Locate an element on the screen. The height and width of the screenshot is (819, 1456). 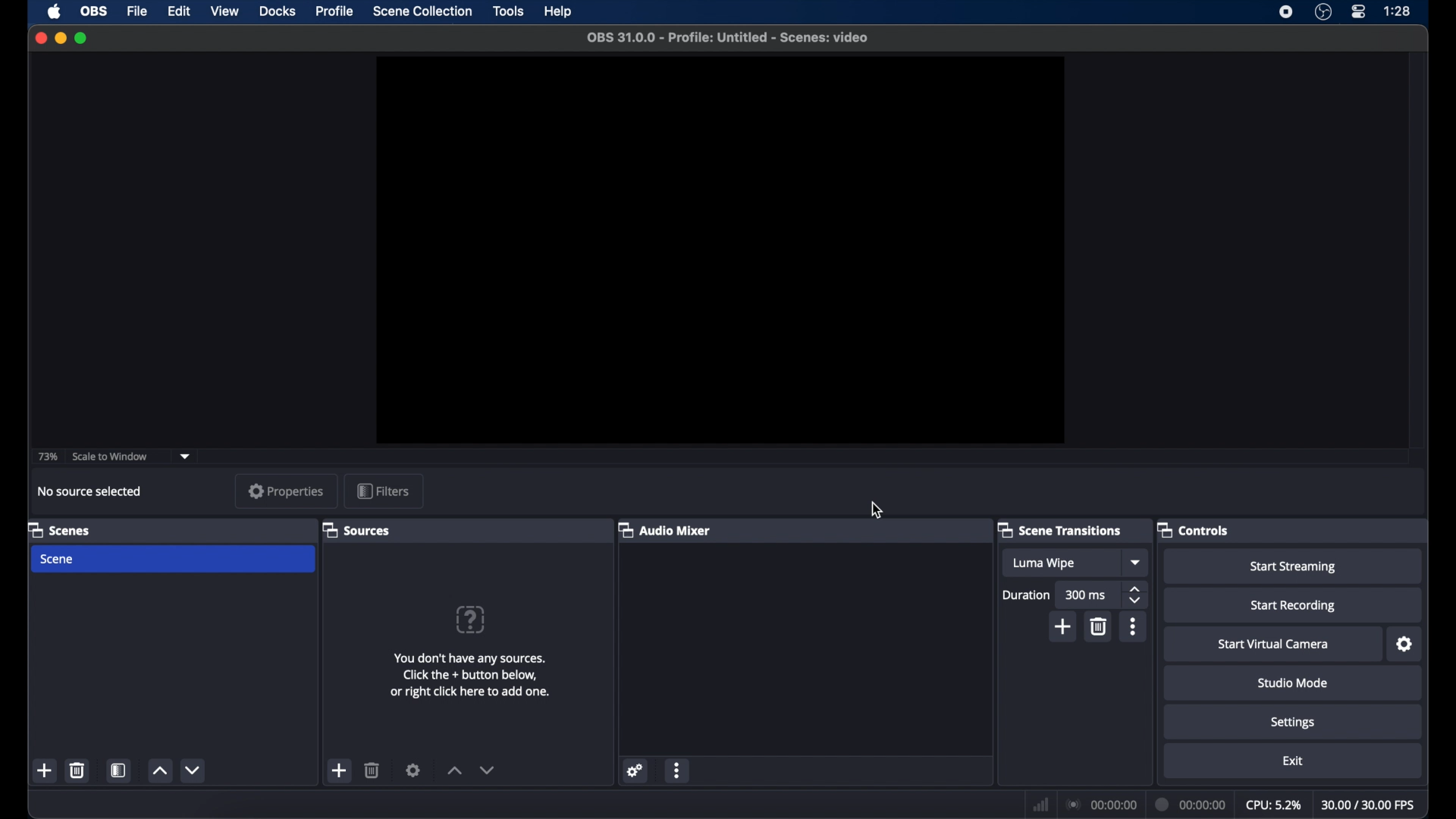
obs is located at coordinates (93, 11).